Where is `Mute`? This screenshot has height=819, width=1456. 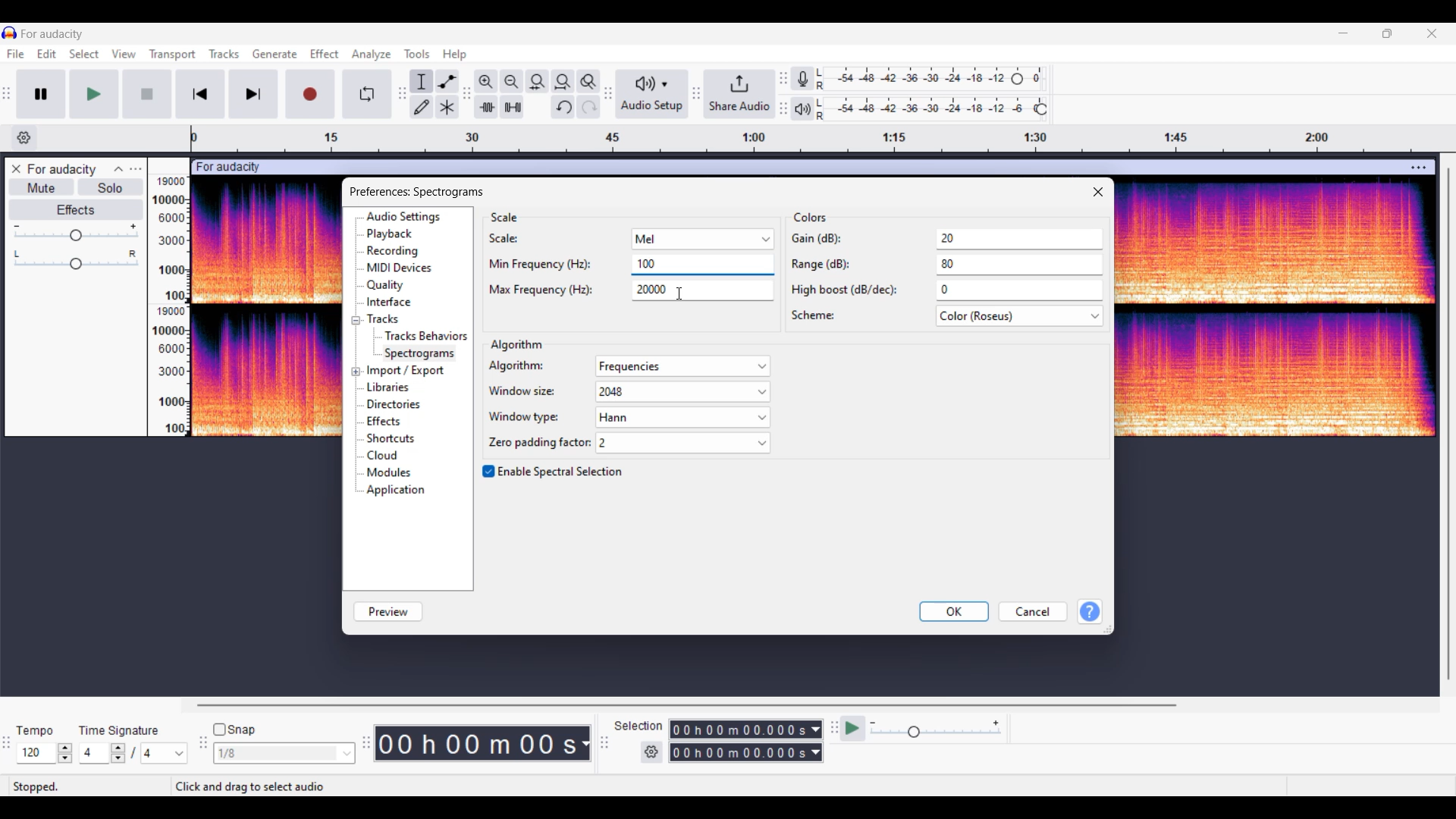 Mute is located at coordinates (42, 187).